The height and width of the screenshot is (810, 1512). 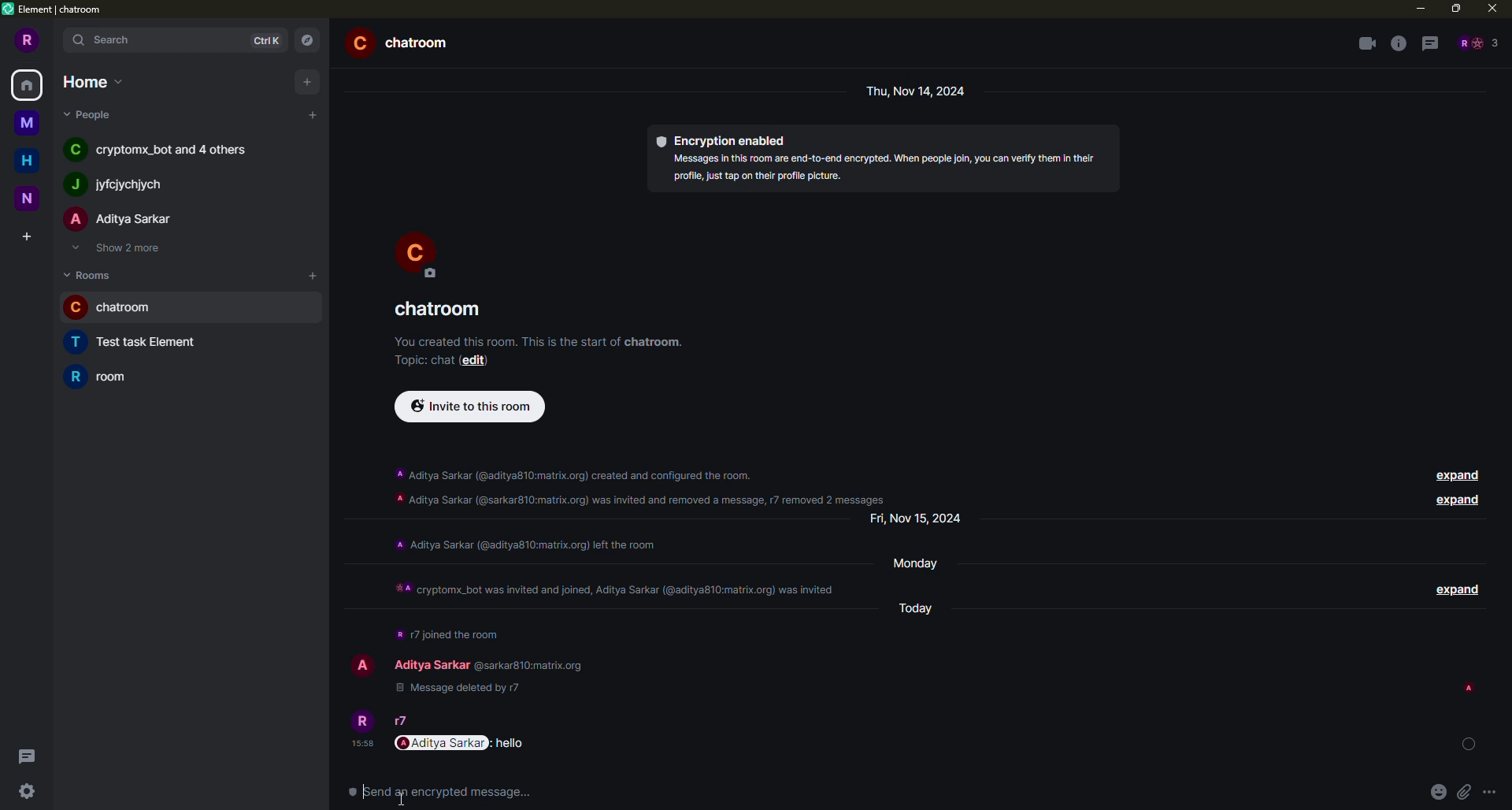 What do you see at coordinates (1462, 476) in the screenshot?
I see `expand` at bounding box center [1462, 476].